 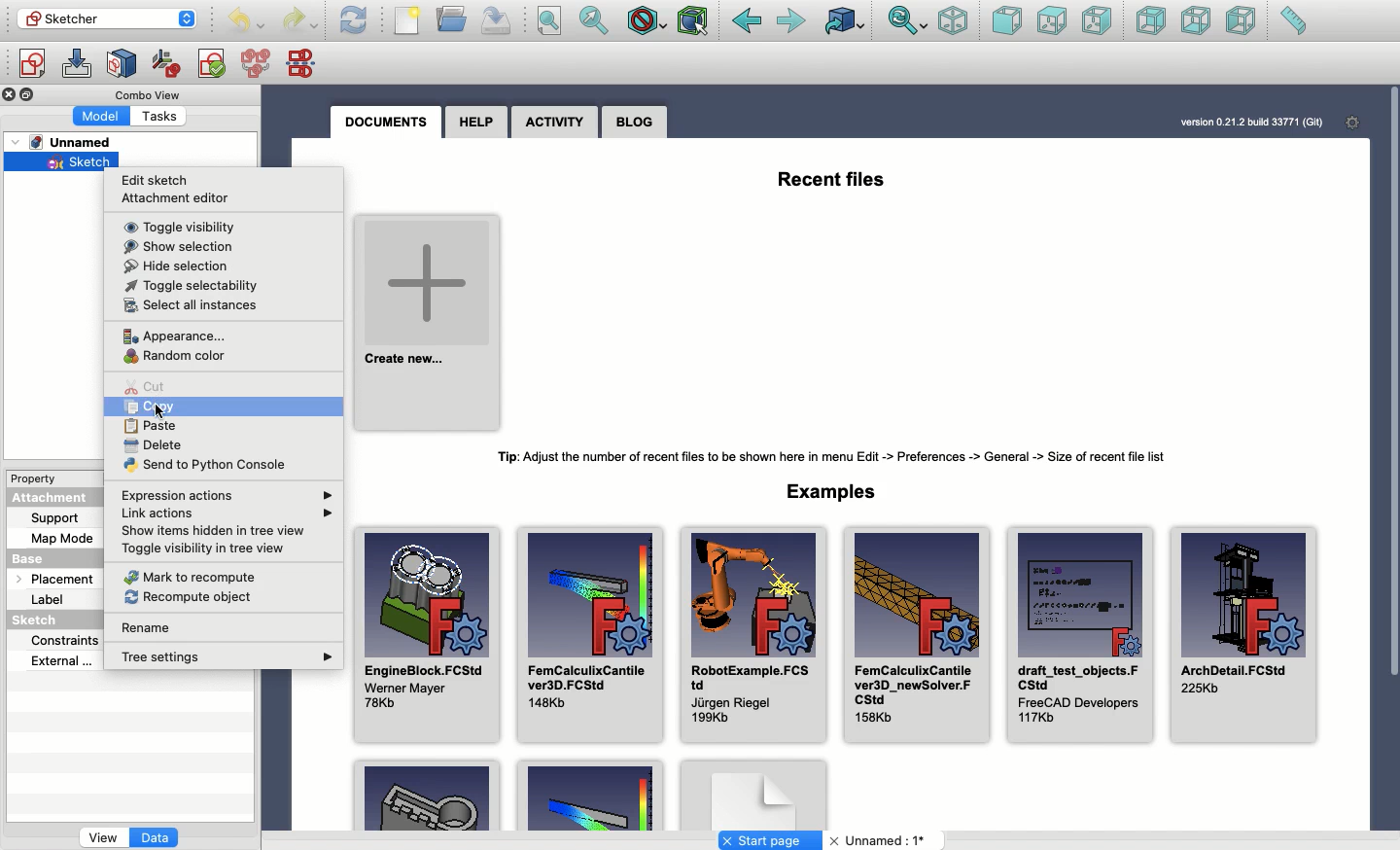 I want to click on Model+, so click(x=103, y=115).